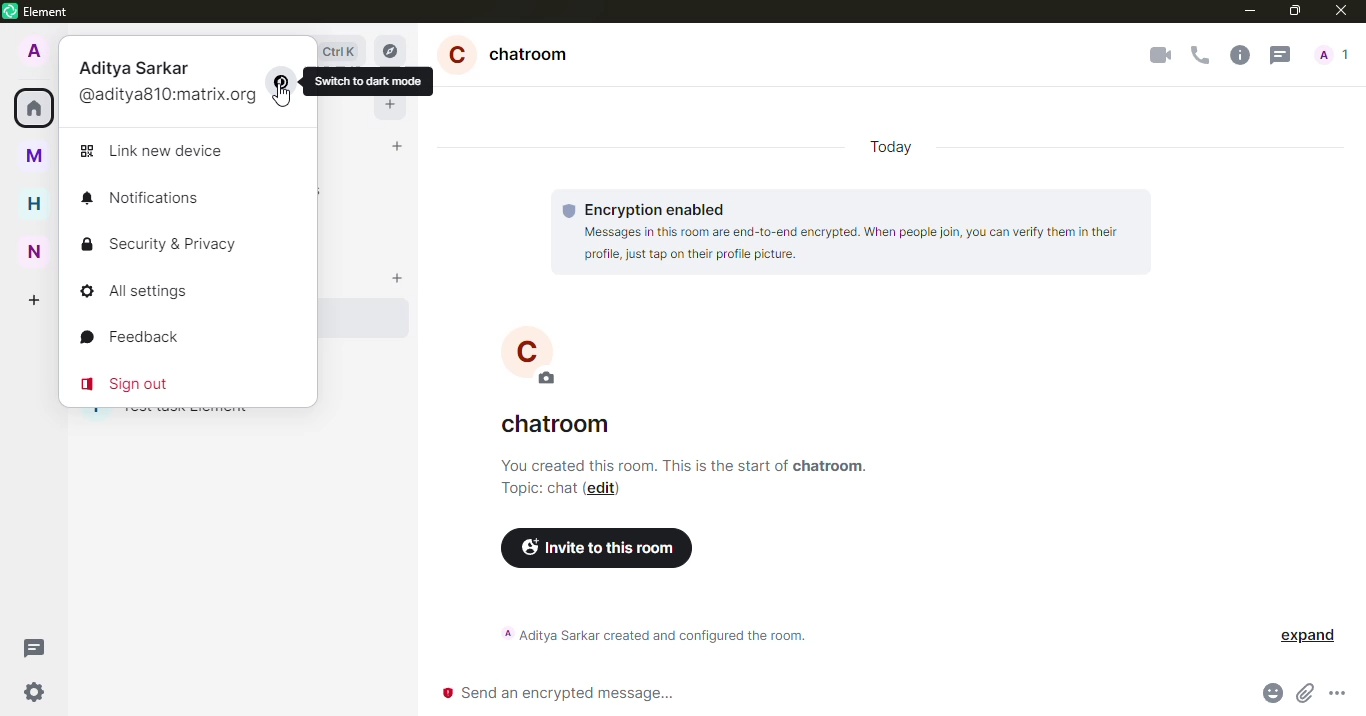 The width and height of the screenshot is (1366, 716). Describe the element at coordinates (557, 692) in the screenshot. I see `send encrypted message` at that location.